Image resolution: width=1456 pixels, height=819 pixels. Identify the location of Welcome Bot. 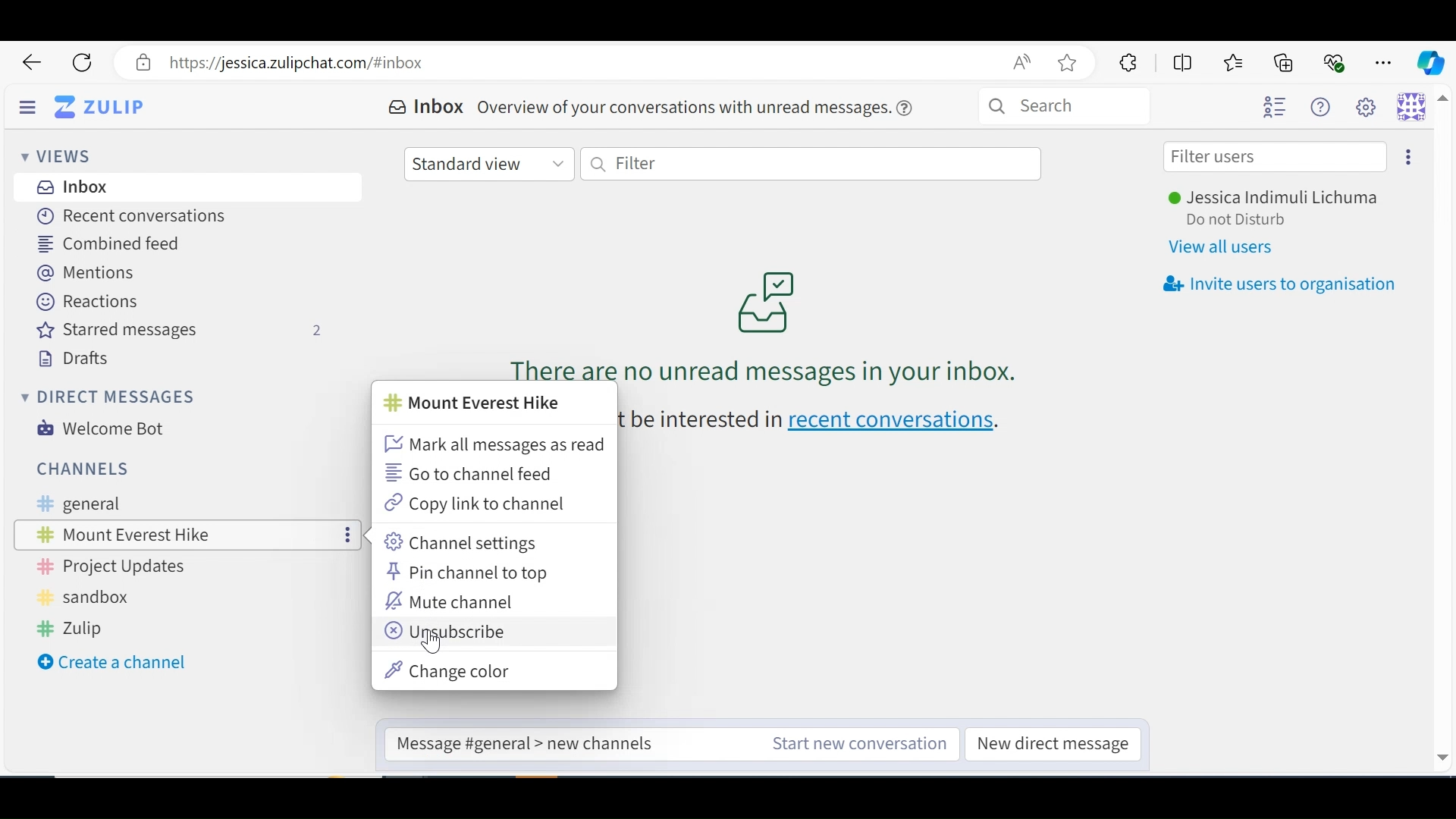
(102, 428).